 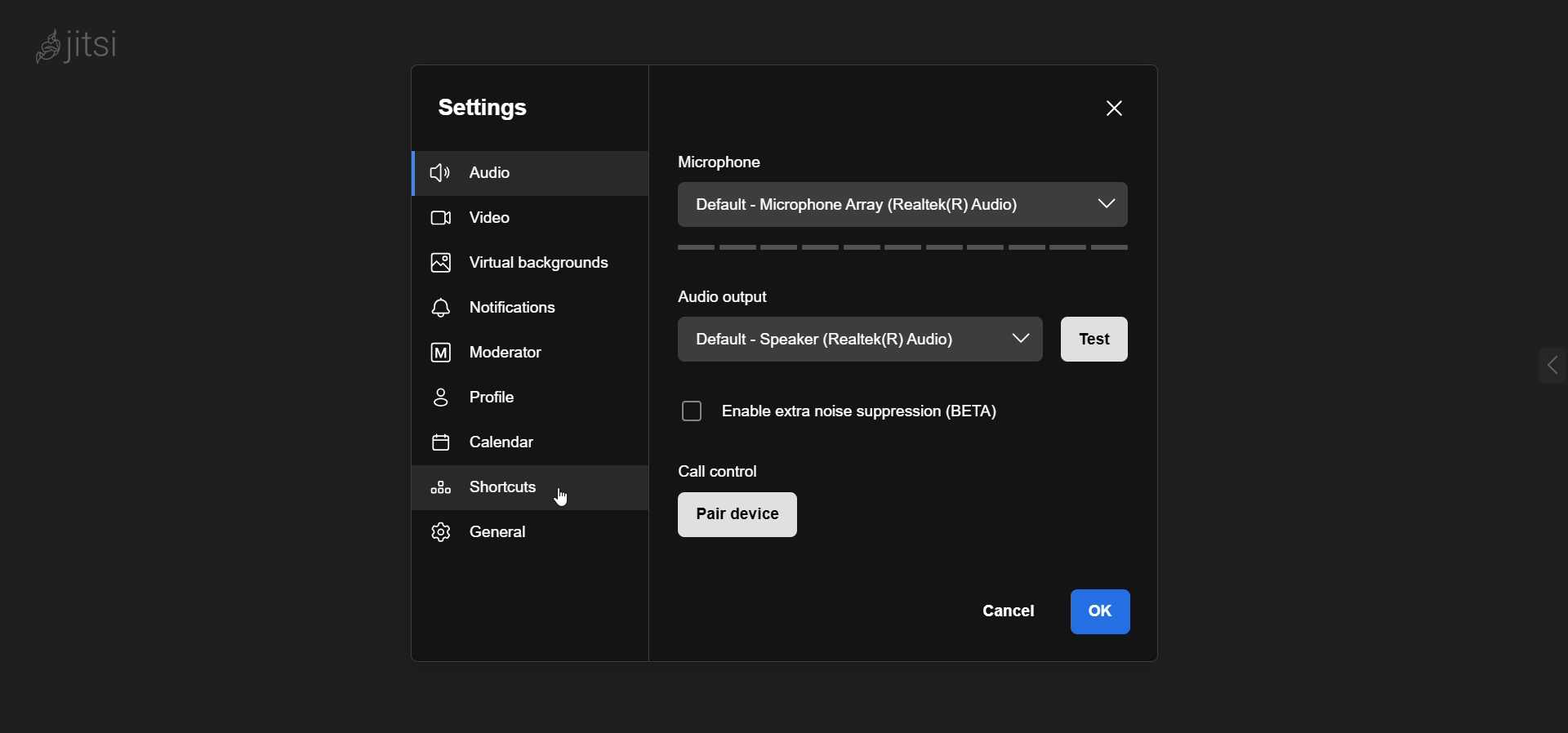 I want to click on profile, so click(x=487, y=395).